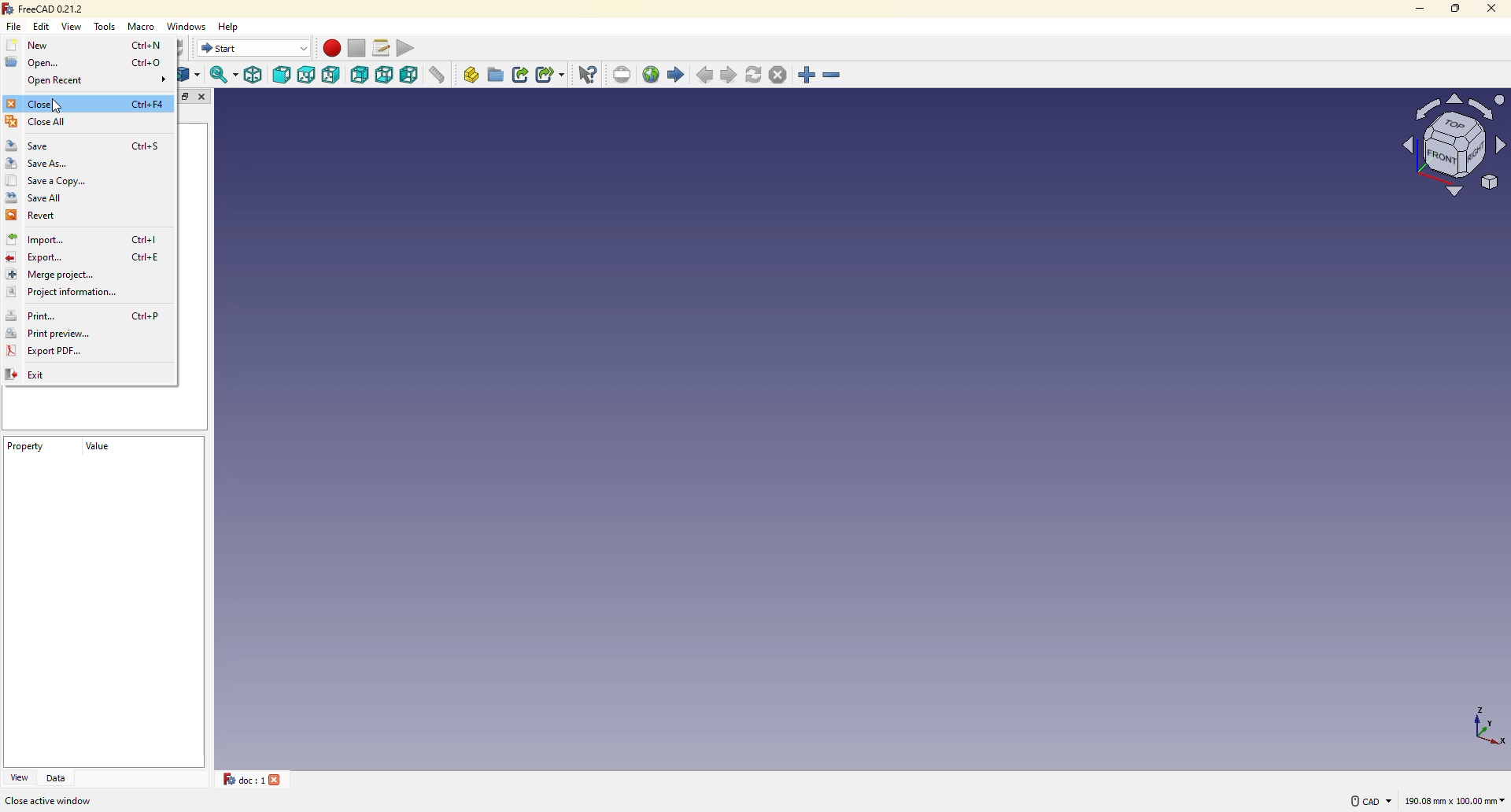  I want to click on stop loading, so click(777, 75).